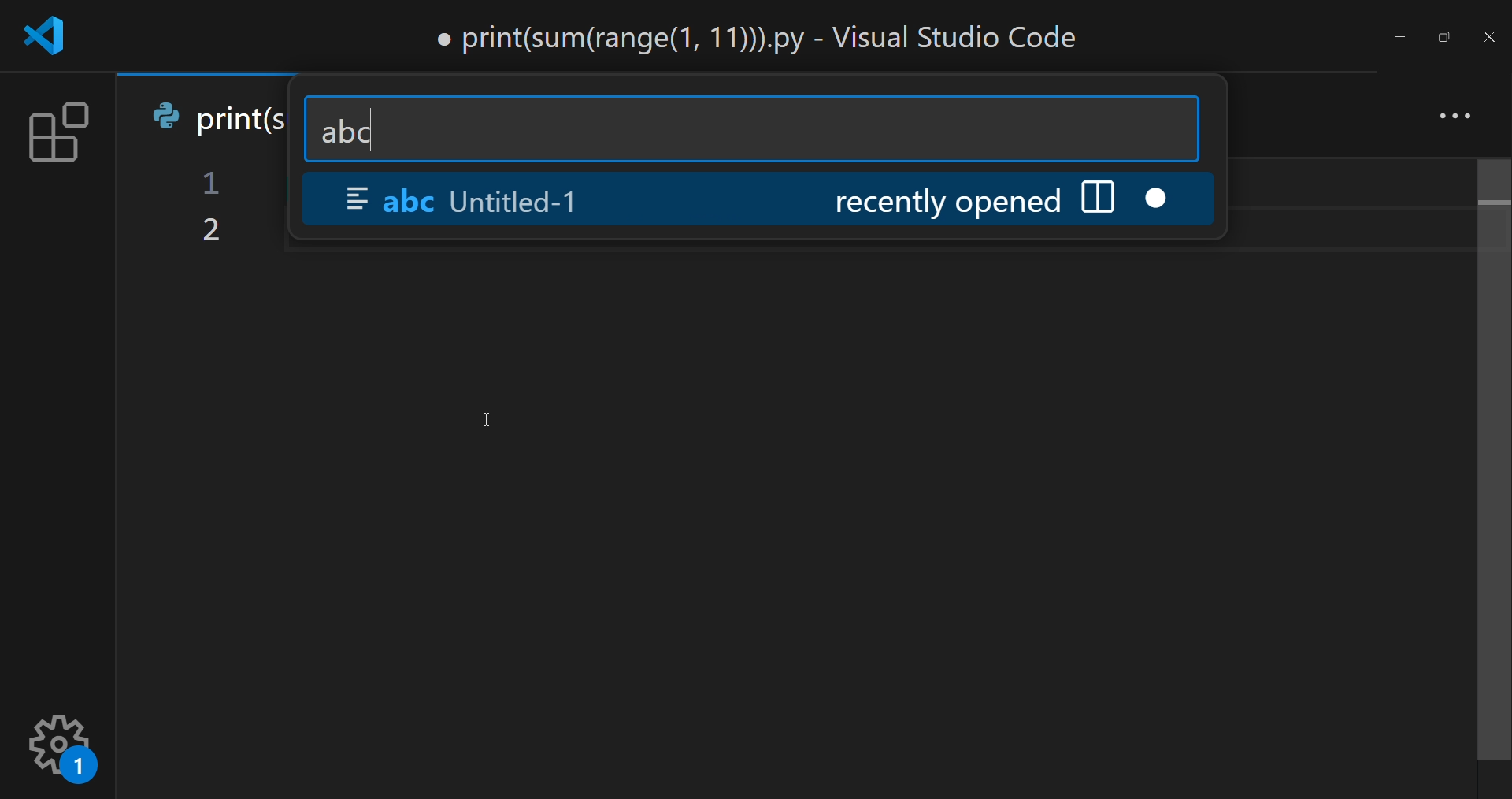  I want to click on search, so click(812, 128).